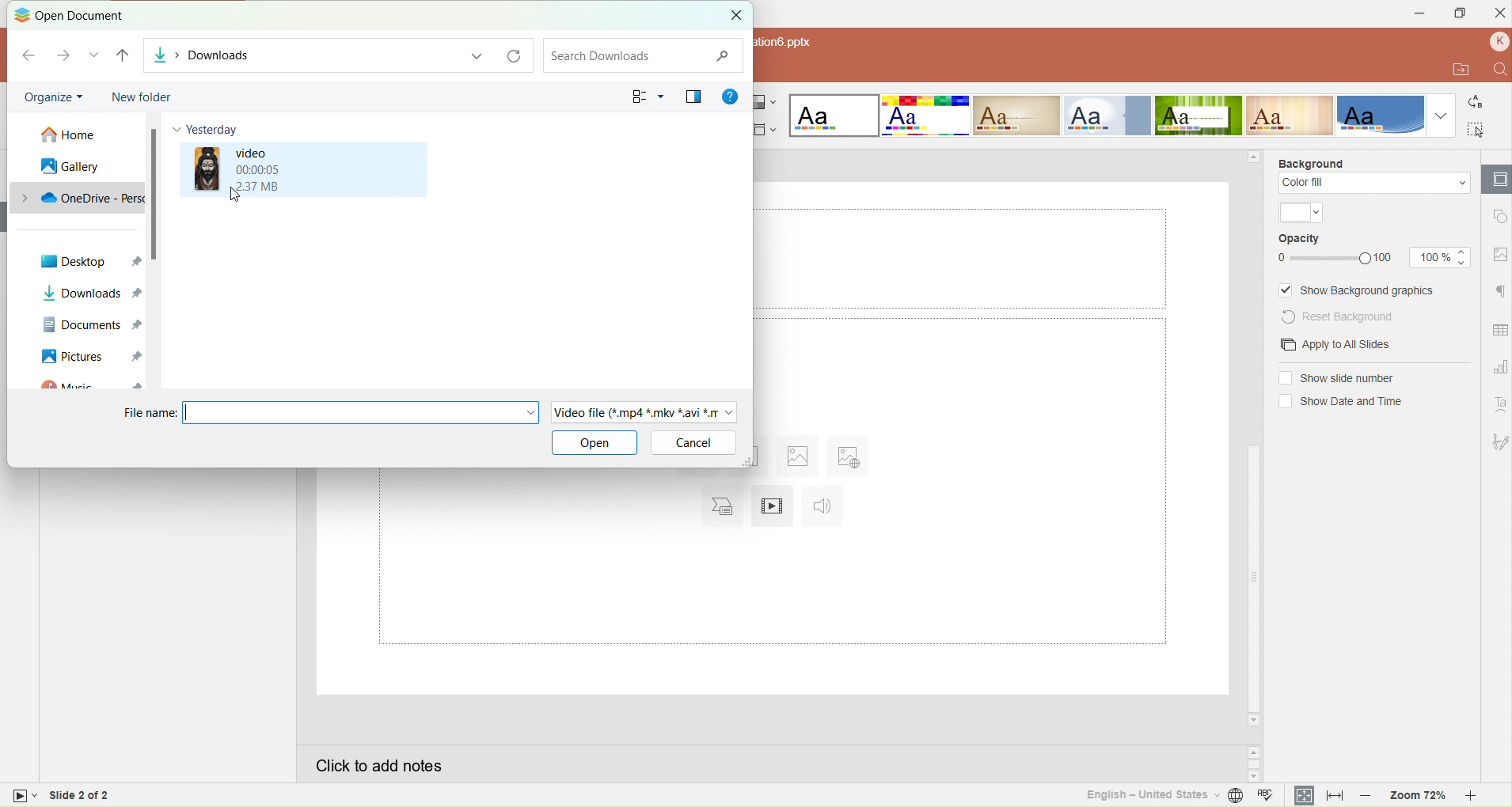 Image resolution: width=1512 pixels, height=807 pixels. I want to click on Show the previous pane, so click(695, 96).